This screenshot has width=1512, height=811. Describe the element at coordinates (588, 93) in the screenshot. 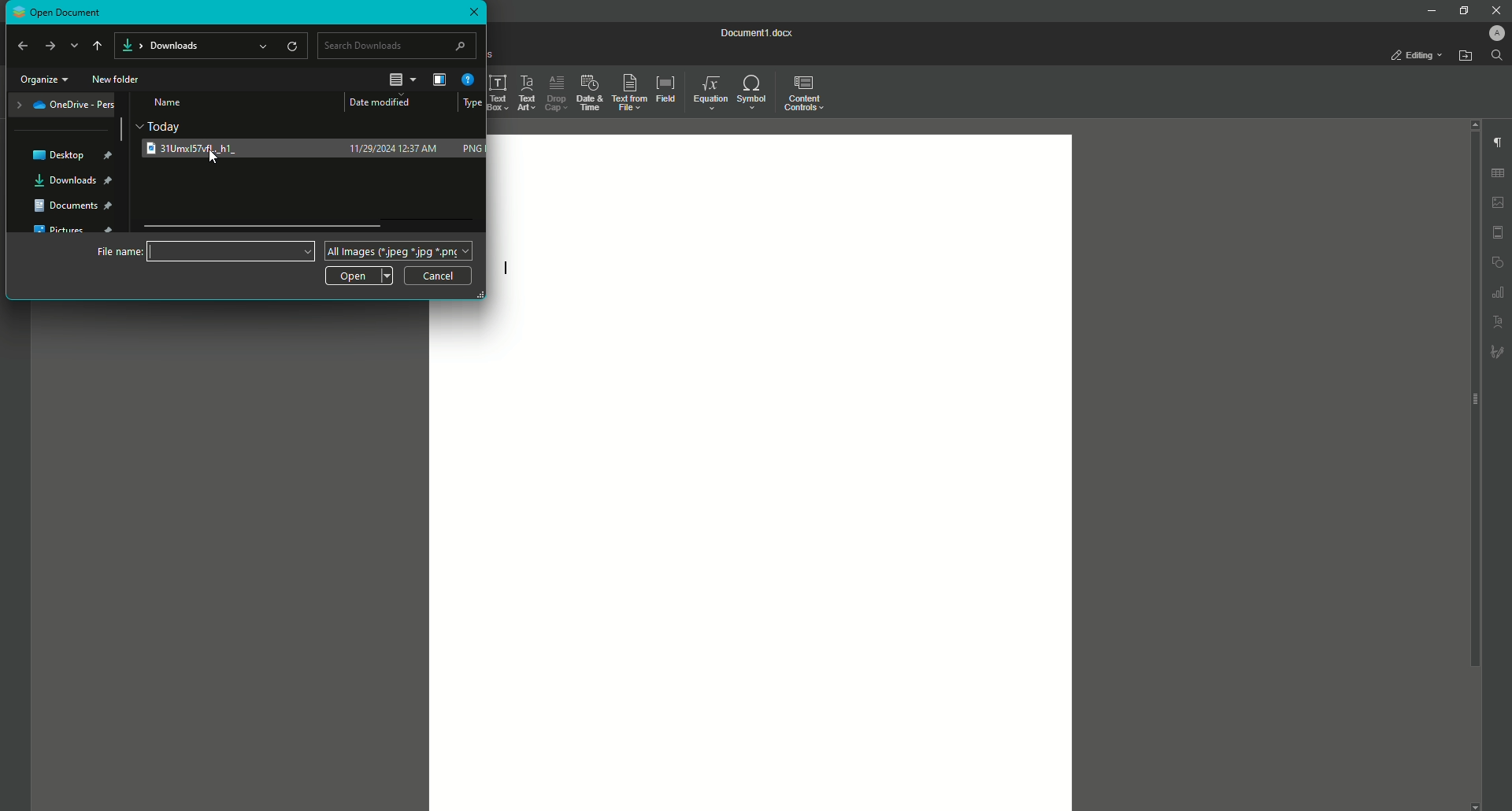

I see `Date and Time` at that location.